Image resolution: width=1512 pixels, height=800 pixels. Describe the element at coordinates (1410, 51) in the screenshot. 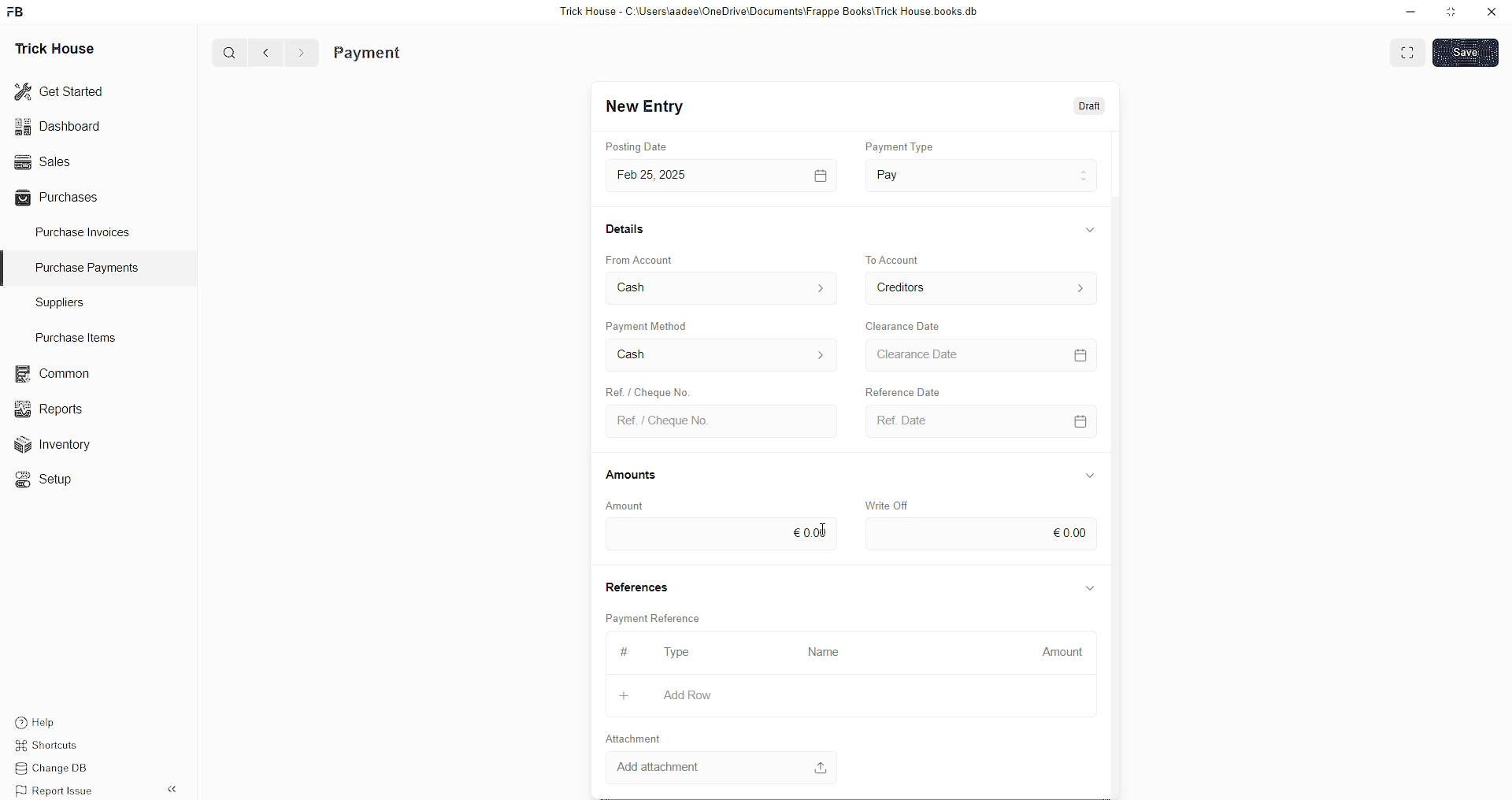

I see `EXPAND` at that location.